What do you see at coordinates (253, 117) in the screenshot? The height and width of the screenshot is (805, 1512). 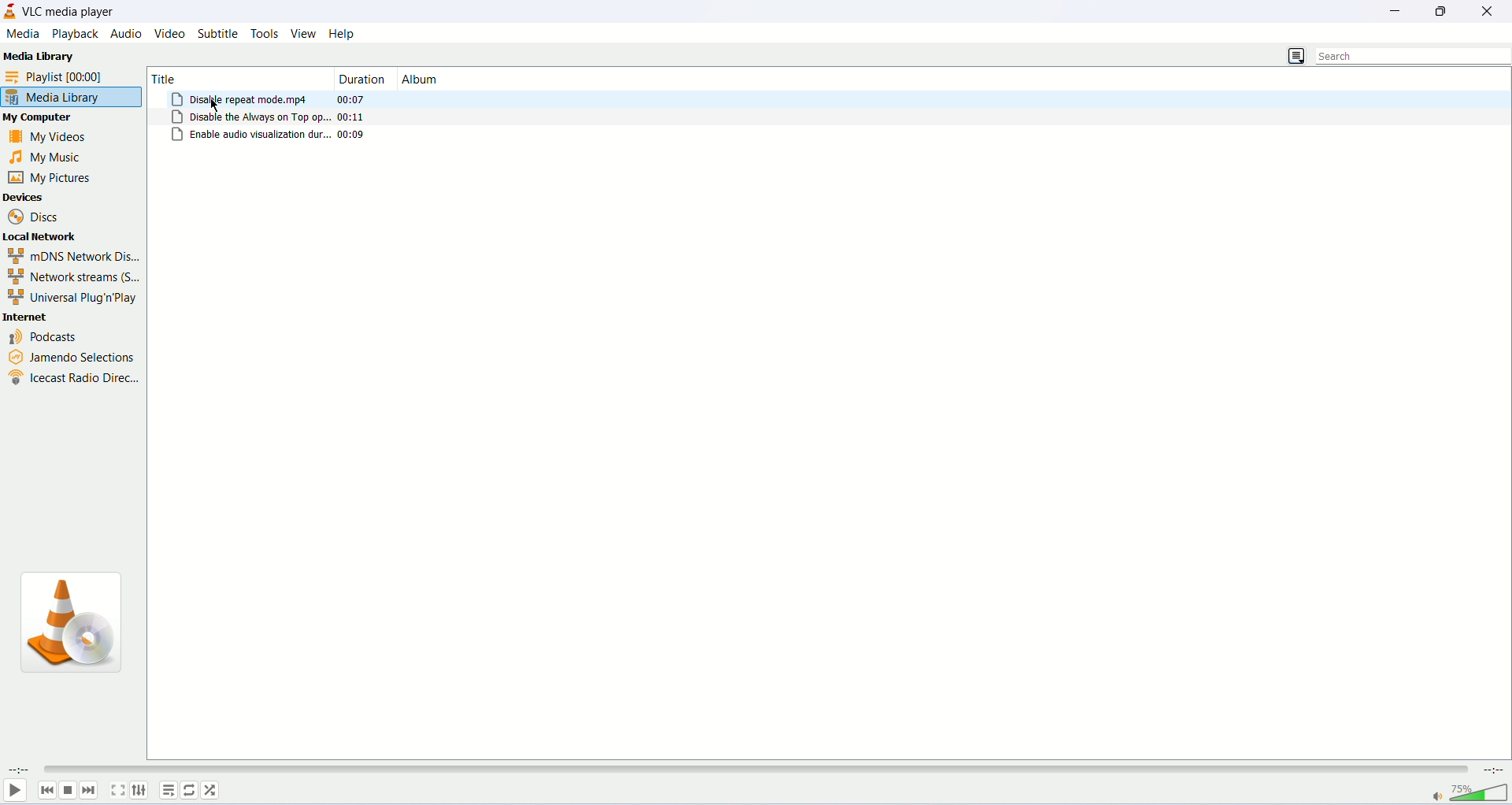 I see `Disable the always on top op..` at bounding box center [253, 117].